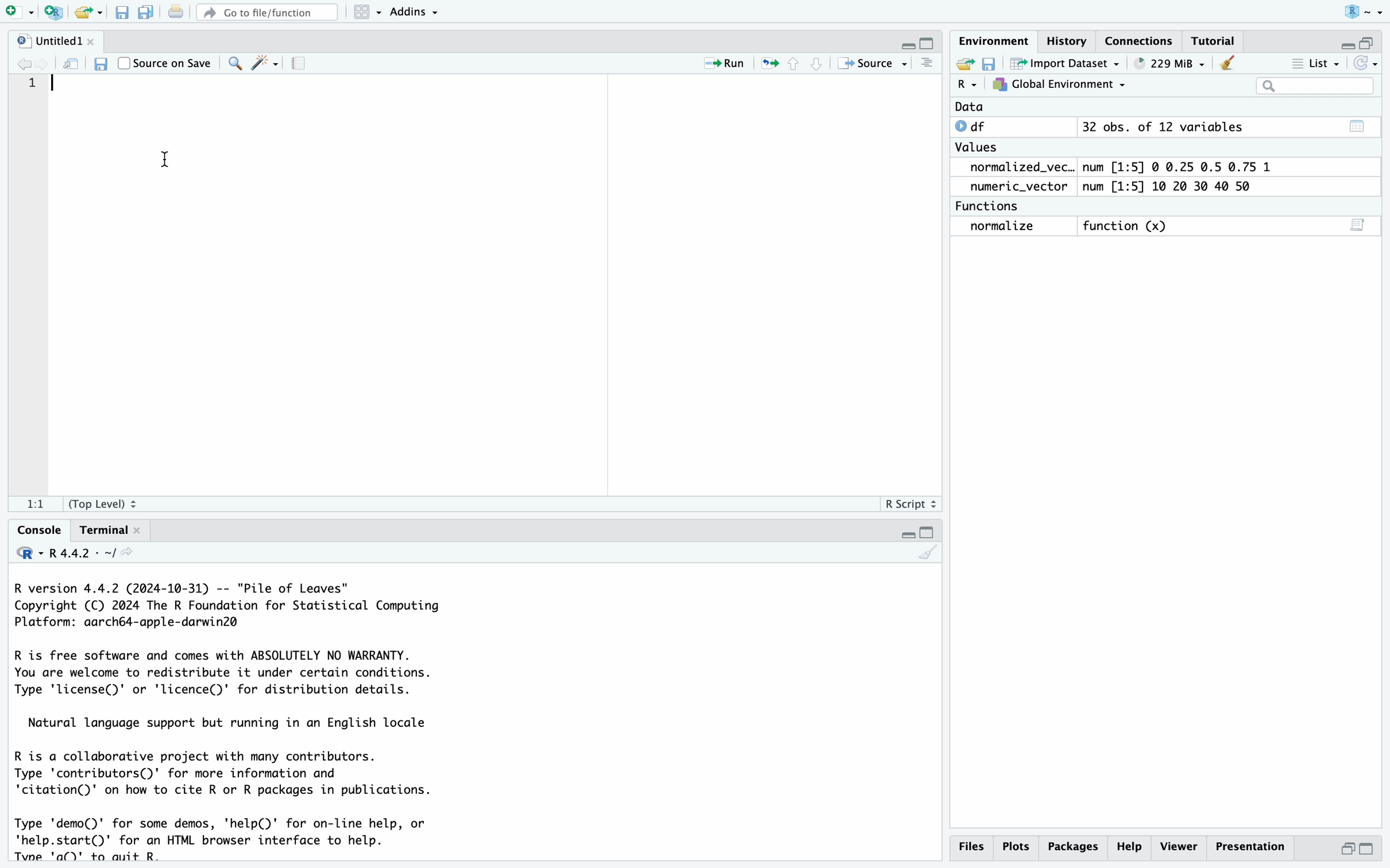 Image resolution: width=1390 pixels, height=868 pixels. Describe the element at coordinates (1252, 847) in the screenshot. I see `Presentation` at that location.